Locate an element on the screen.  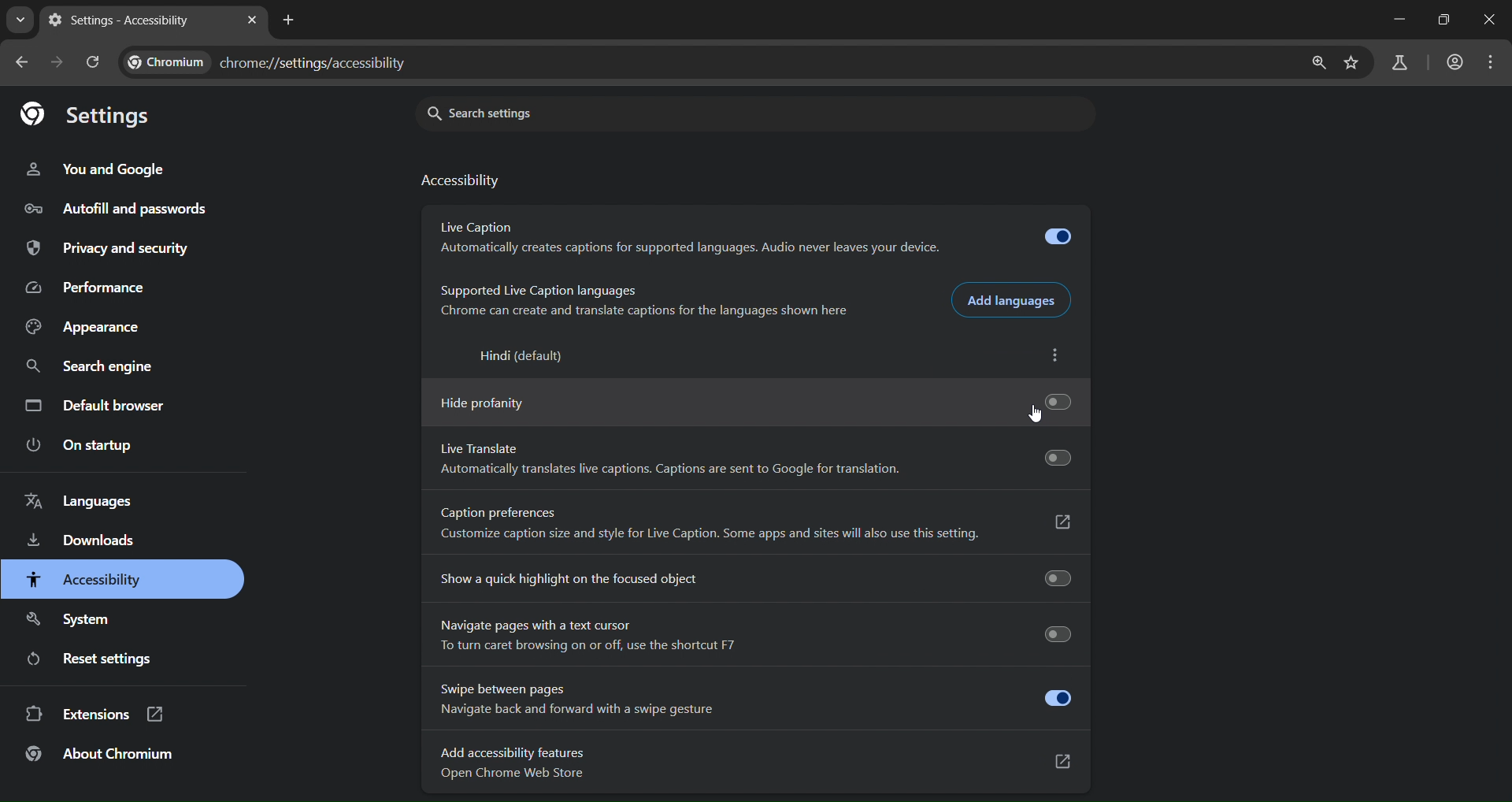
accessibility is located at coordinates (91, 579).